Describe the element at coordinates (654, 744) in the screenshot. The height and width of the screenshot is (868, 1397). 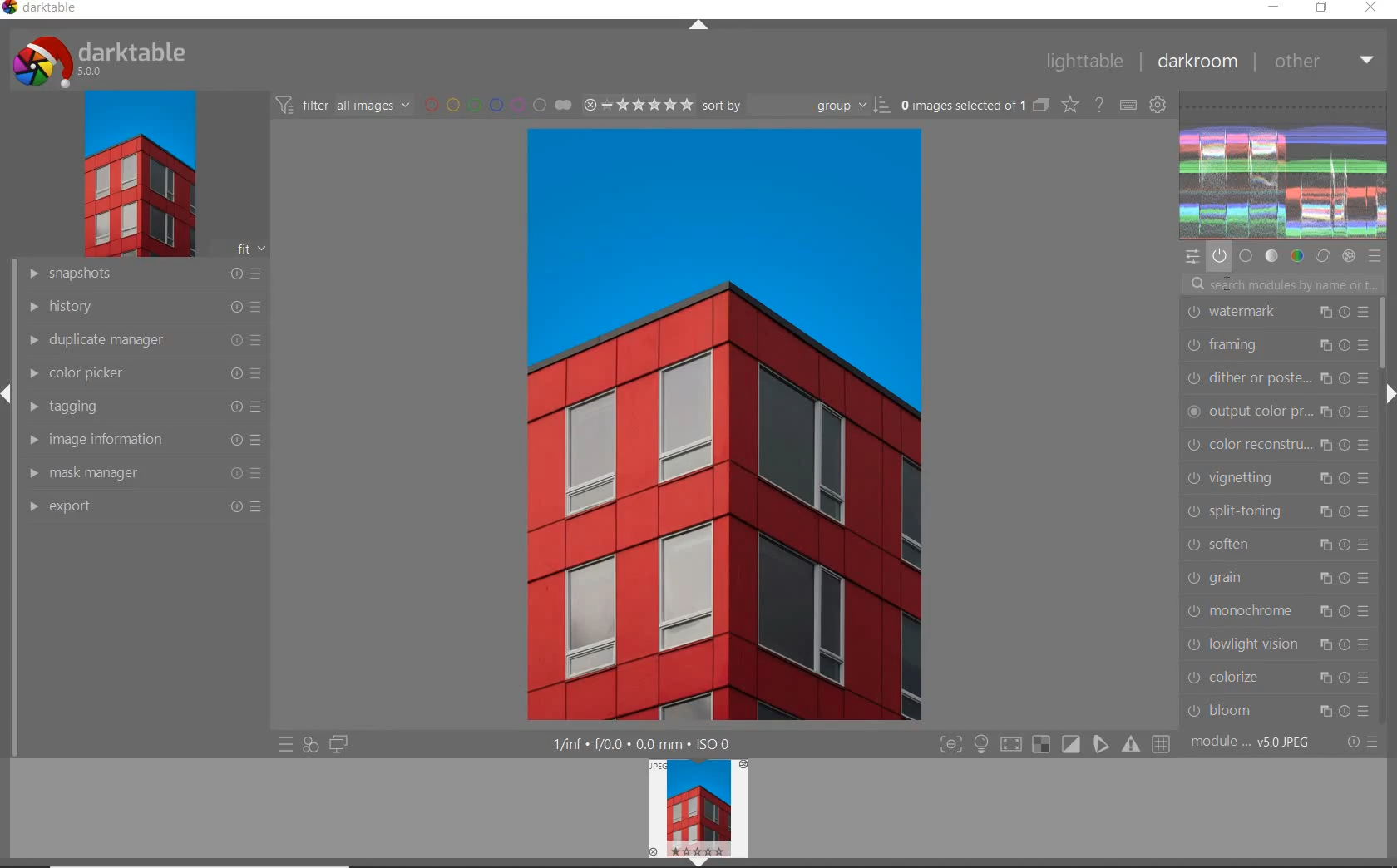
I see `other interface detail` at that location.